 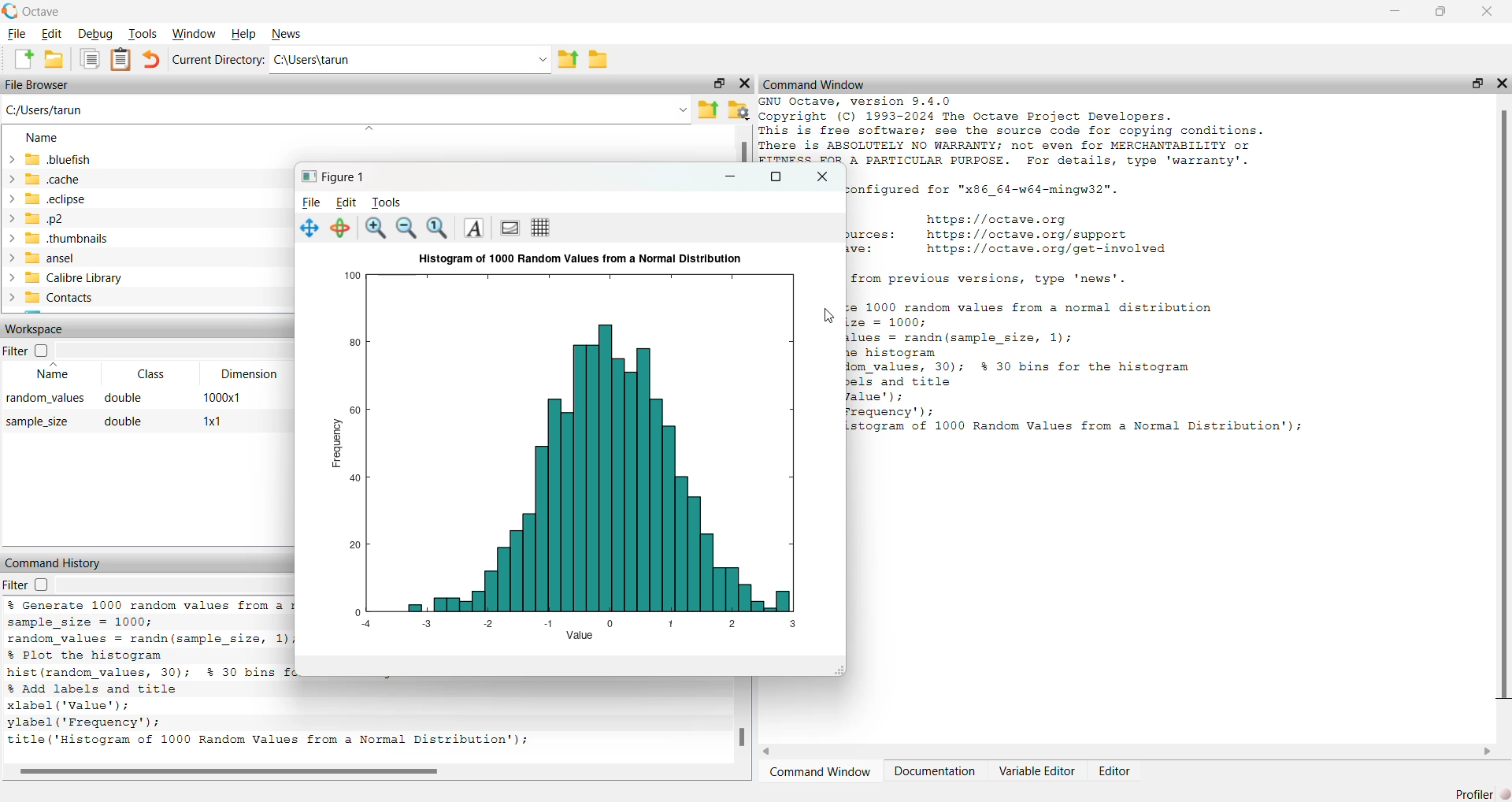 What do you see at coordinates (339, 228) in the screenshot?
I see `Rotate tool` at bounding box center [339, 228].